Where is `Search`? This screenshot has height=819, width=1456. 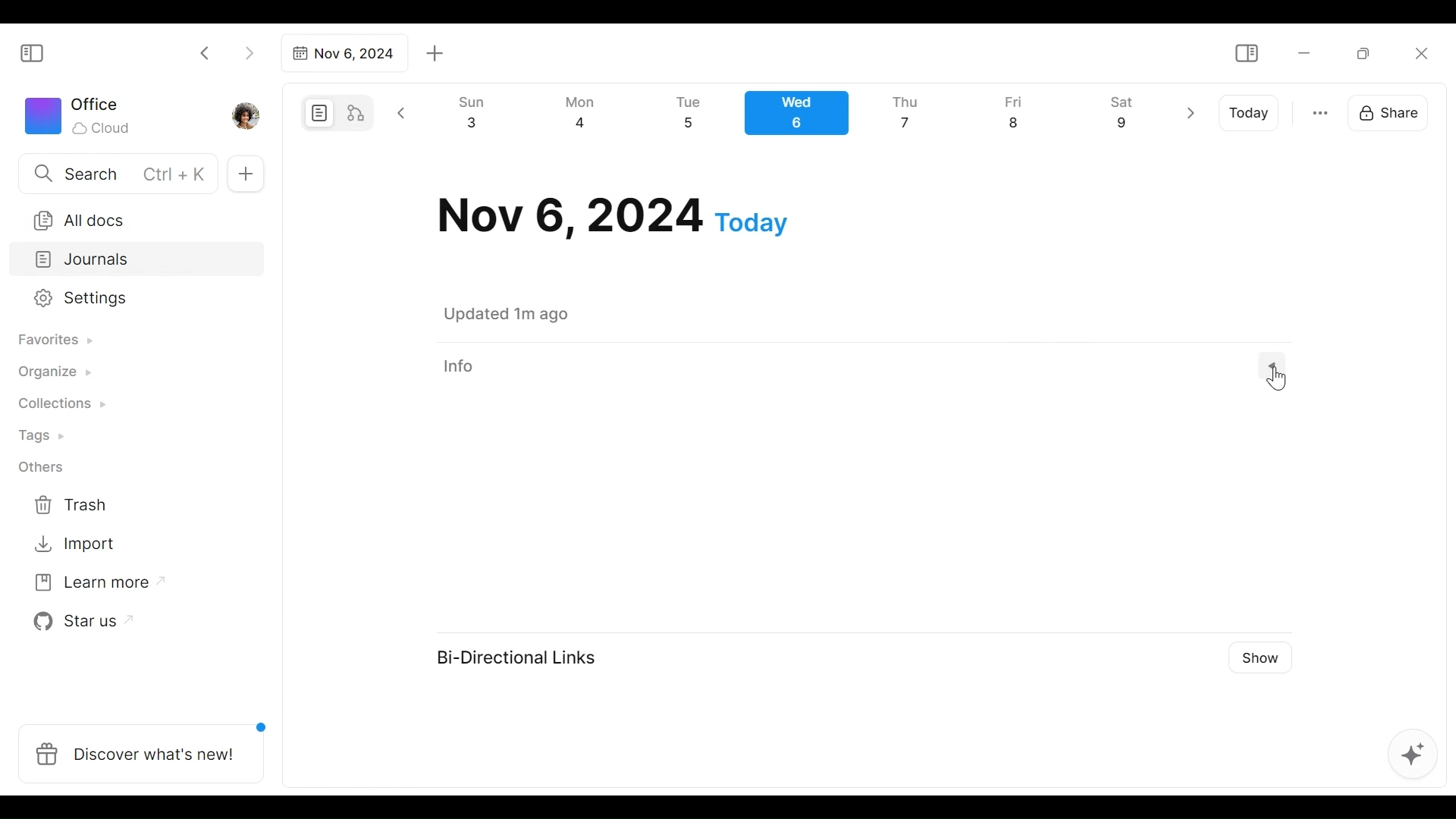
Search is located at coordinates (116, 173).